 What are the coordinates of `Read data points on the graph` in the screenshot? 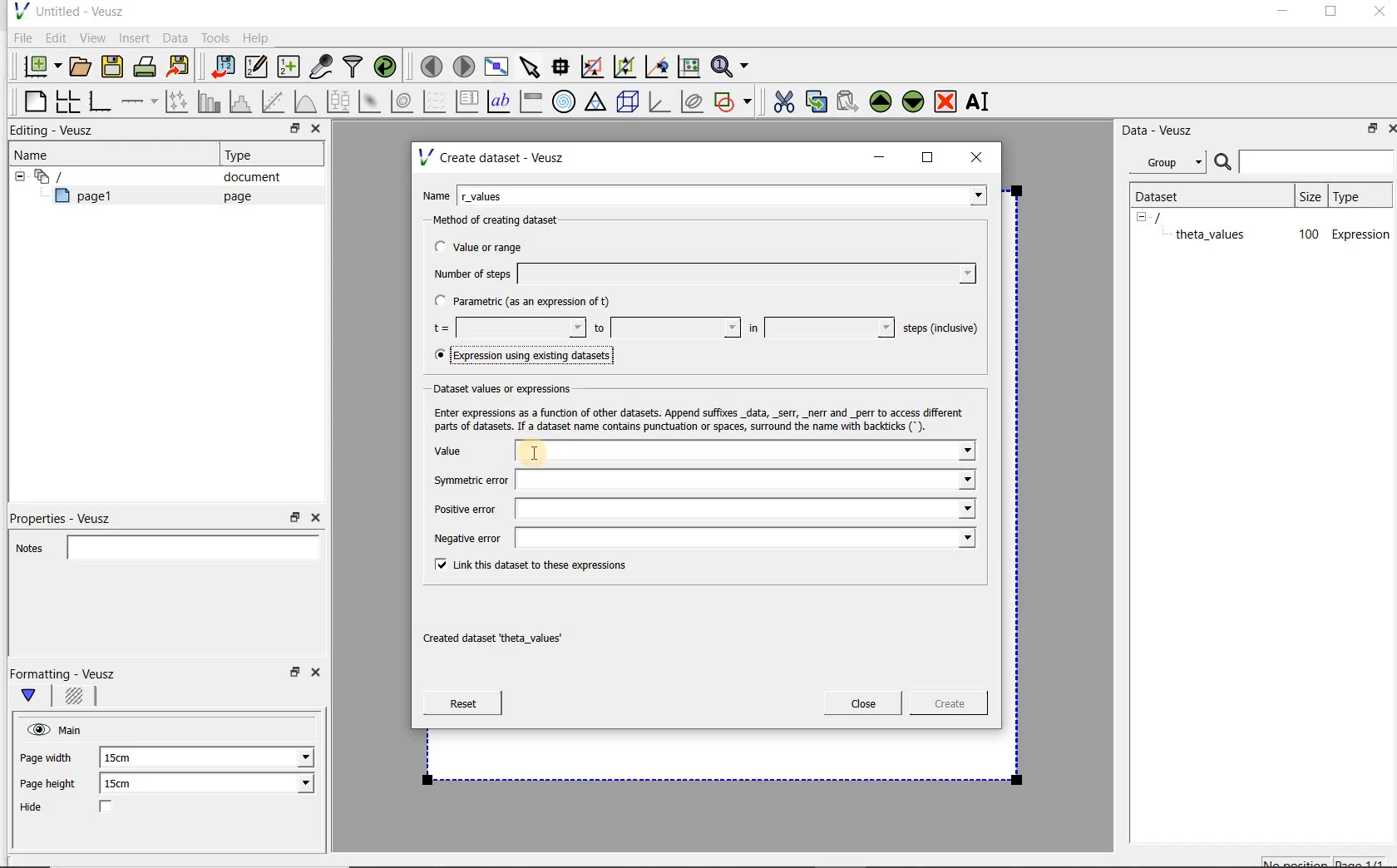 It's located at (563, 67).